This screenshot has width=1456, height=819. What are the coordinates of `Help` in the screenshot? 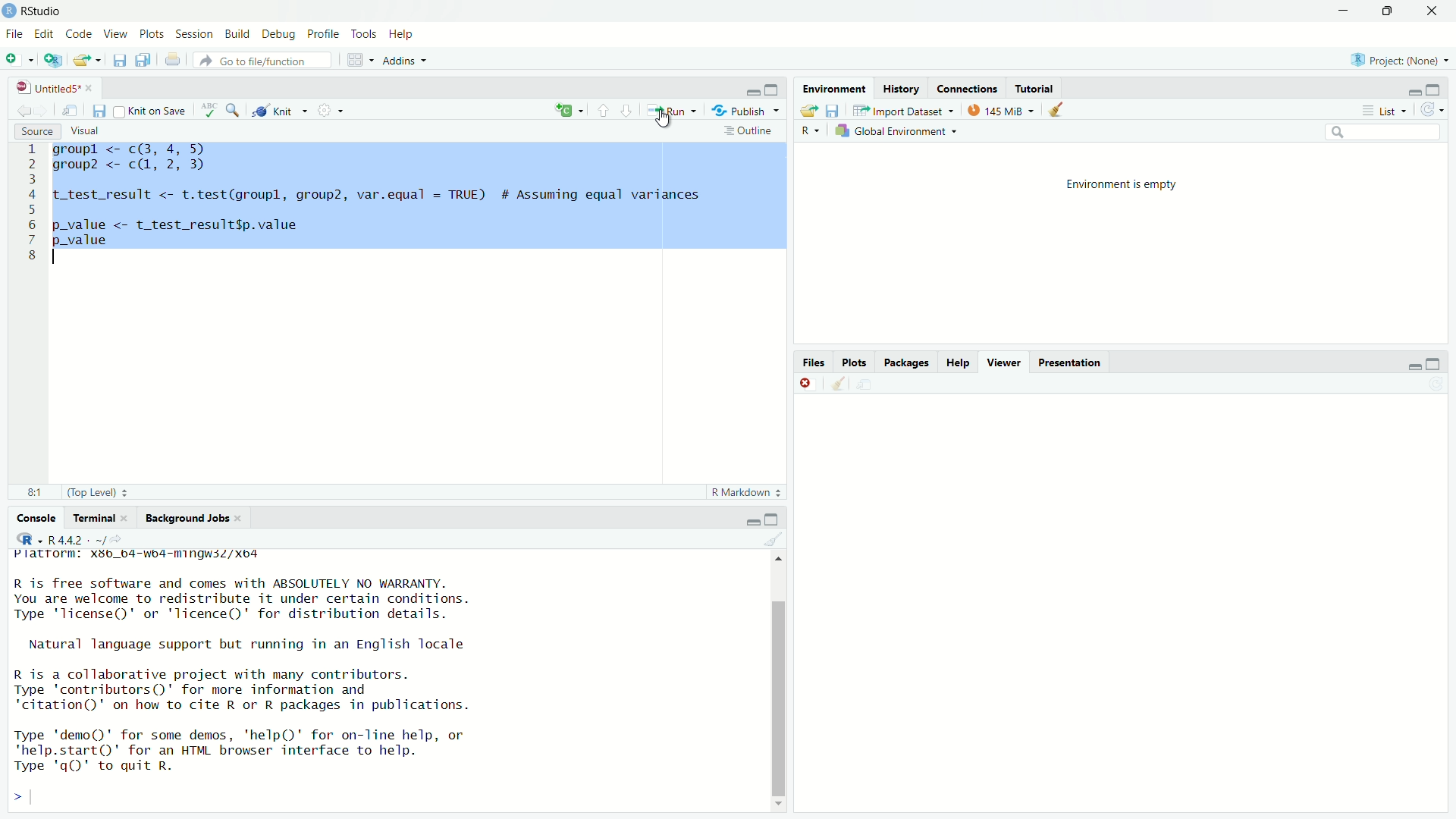 It's located at (403, 33).